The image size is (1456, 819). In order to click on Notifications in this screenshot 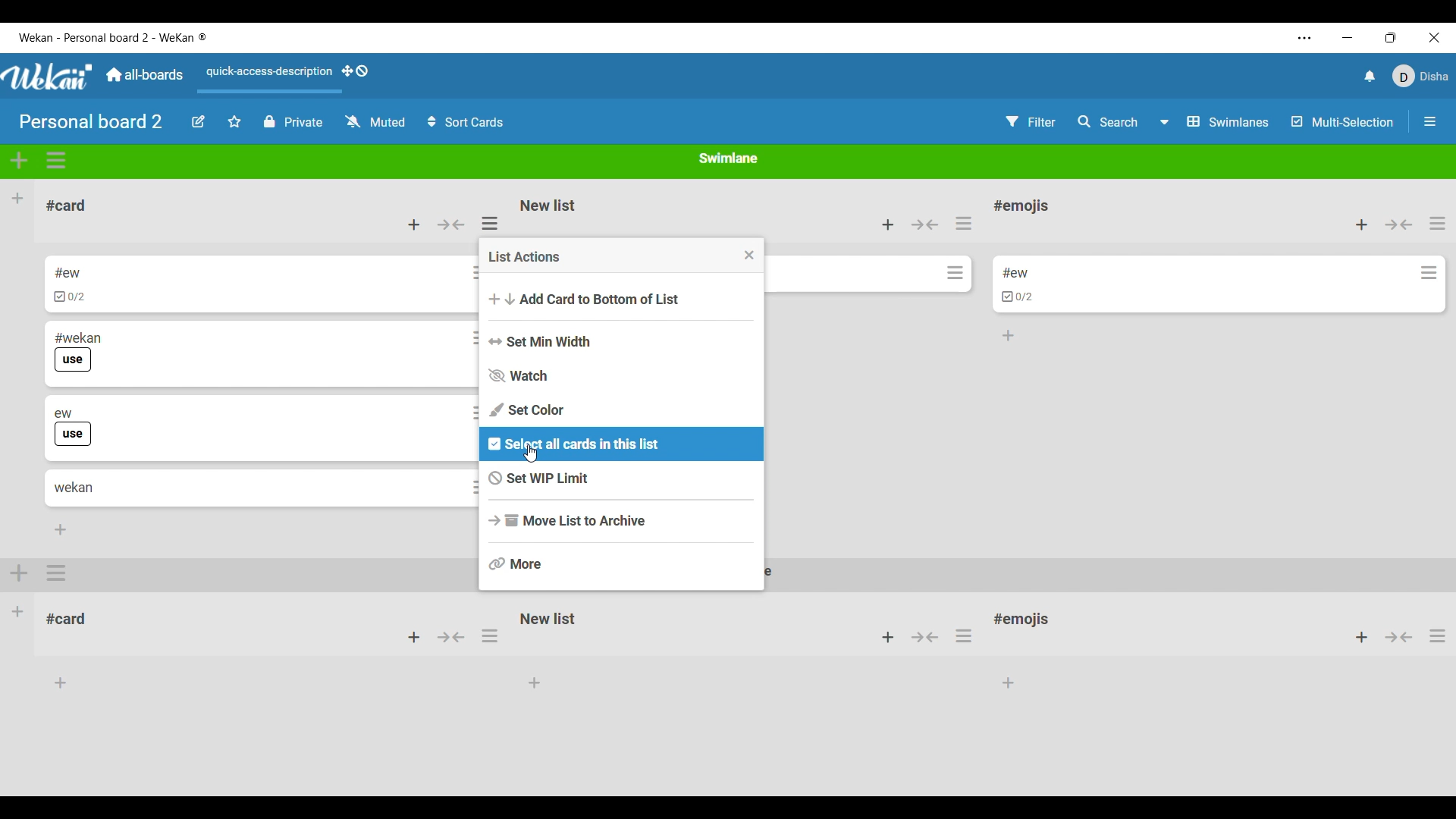, I will do `click(1371, 76)`.